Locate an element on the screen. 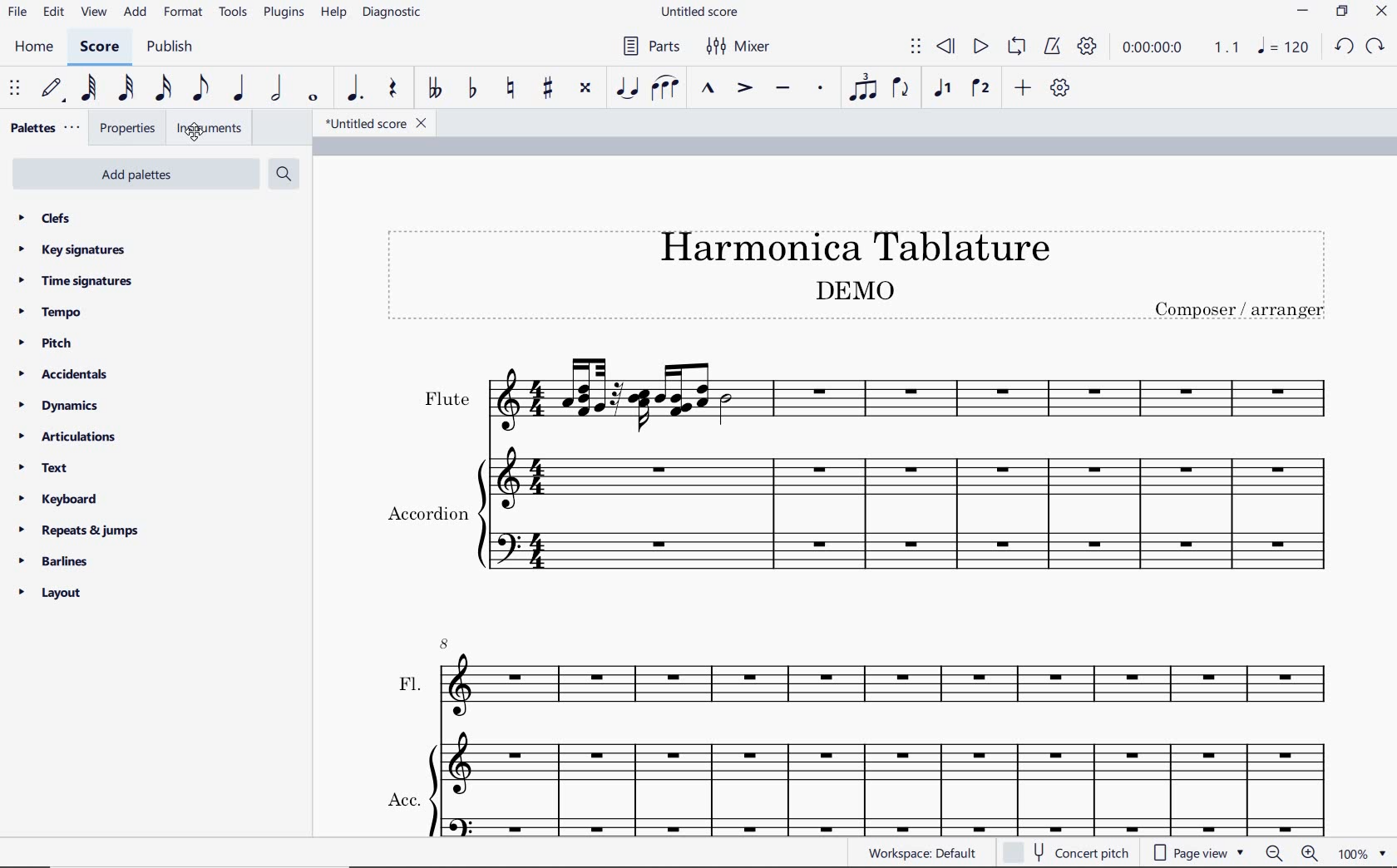 The height and width of the screenshot is (868, 1397). tuplet is located at coordinates (864, 88).